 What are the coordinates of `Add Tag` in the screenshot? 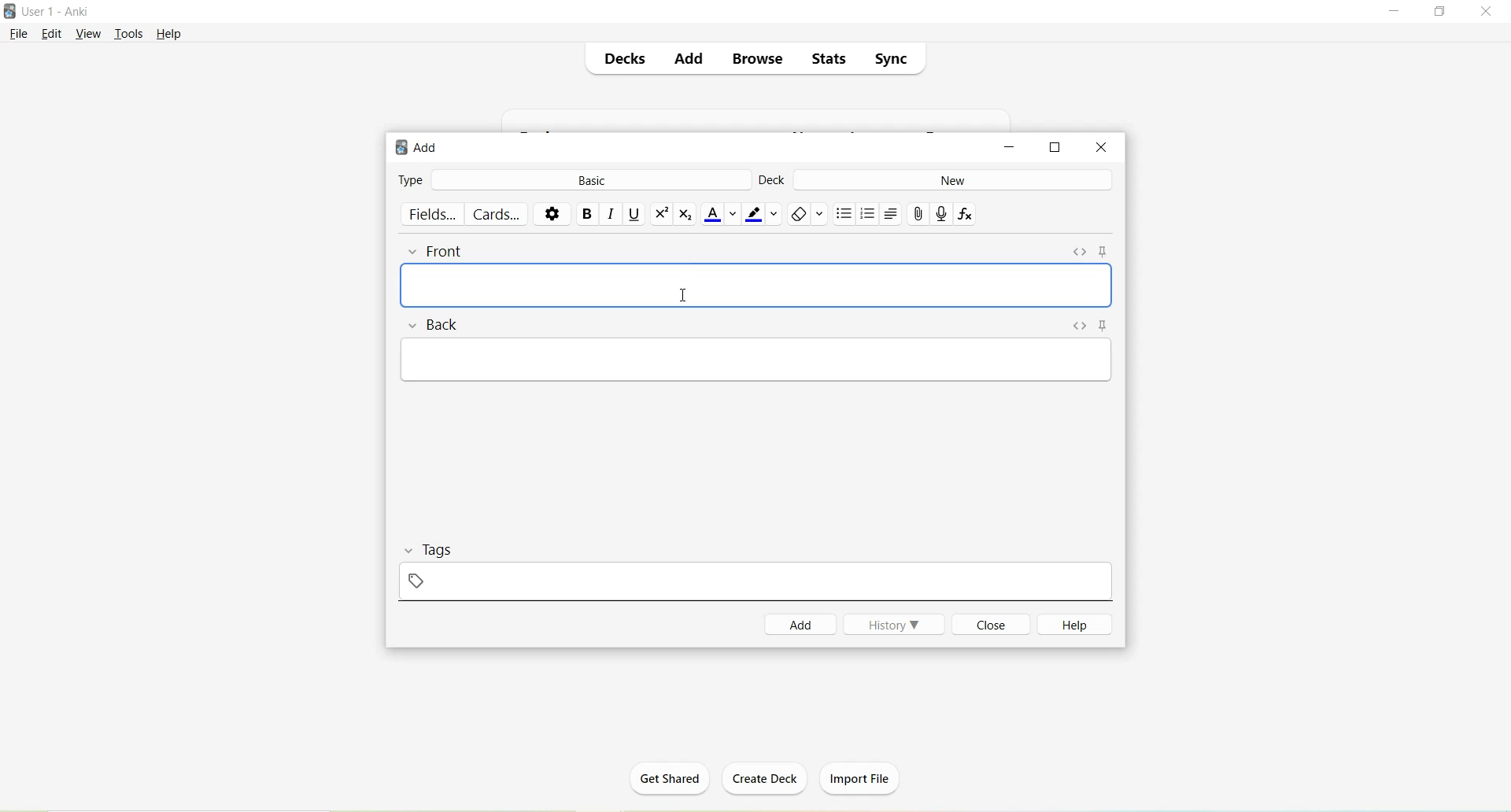 It's located at (418, 581).